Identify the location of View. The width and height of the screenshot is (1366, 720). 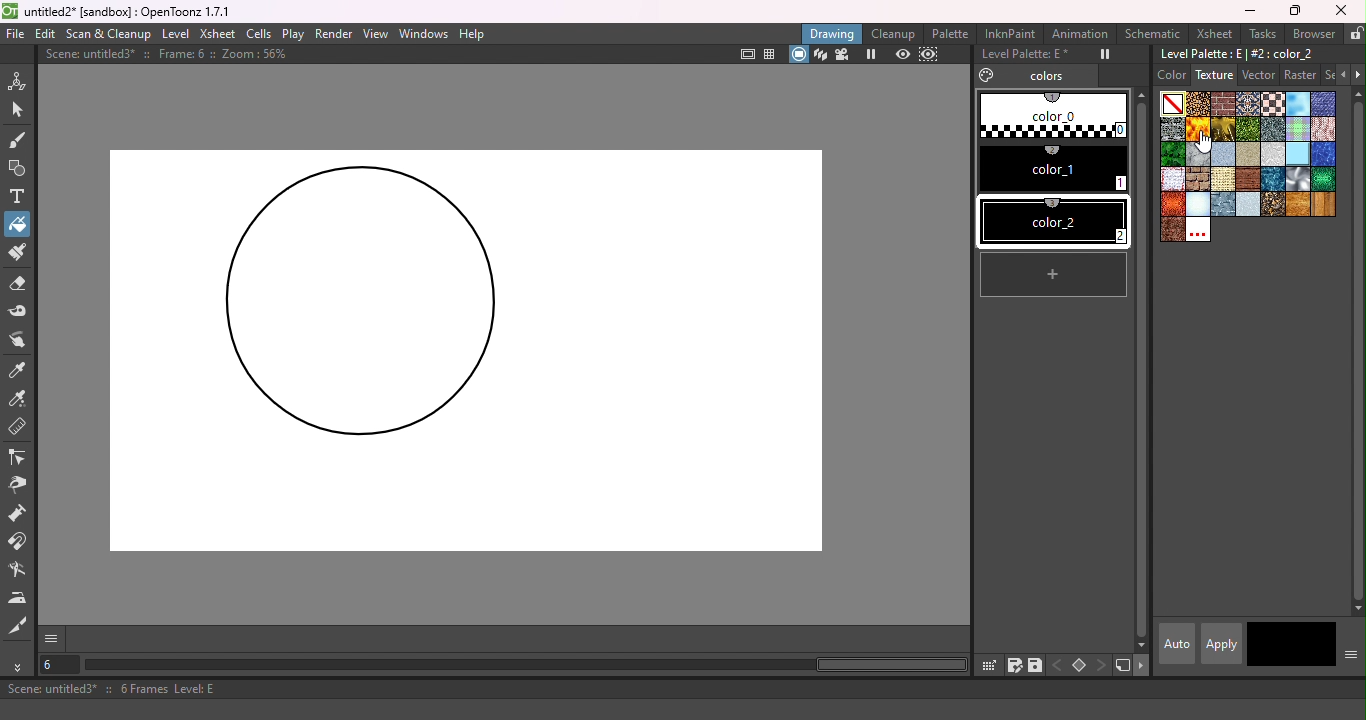
(376, 33).